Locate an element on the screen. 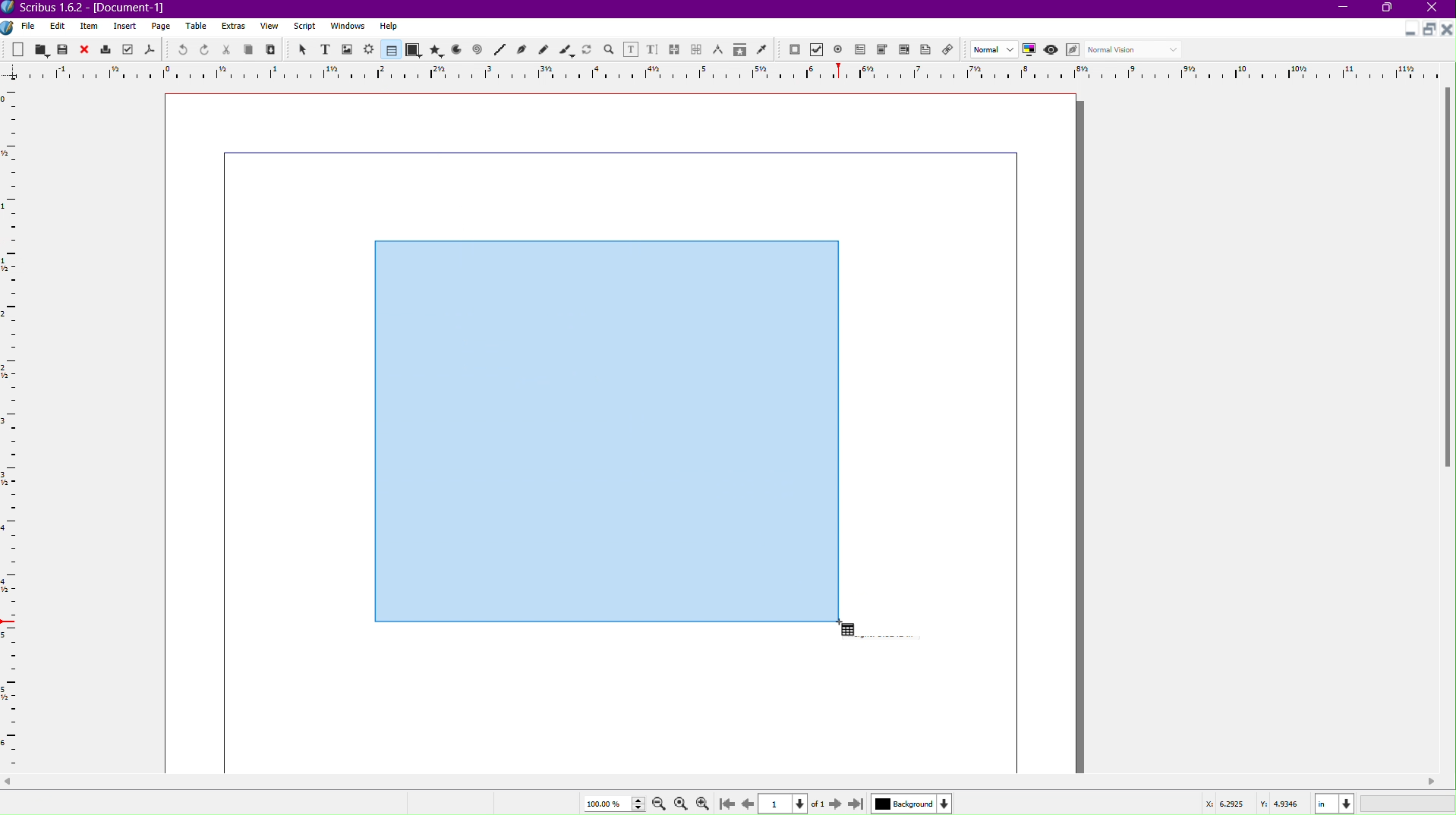  Close is located at coordinates (86, 49).